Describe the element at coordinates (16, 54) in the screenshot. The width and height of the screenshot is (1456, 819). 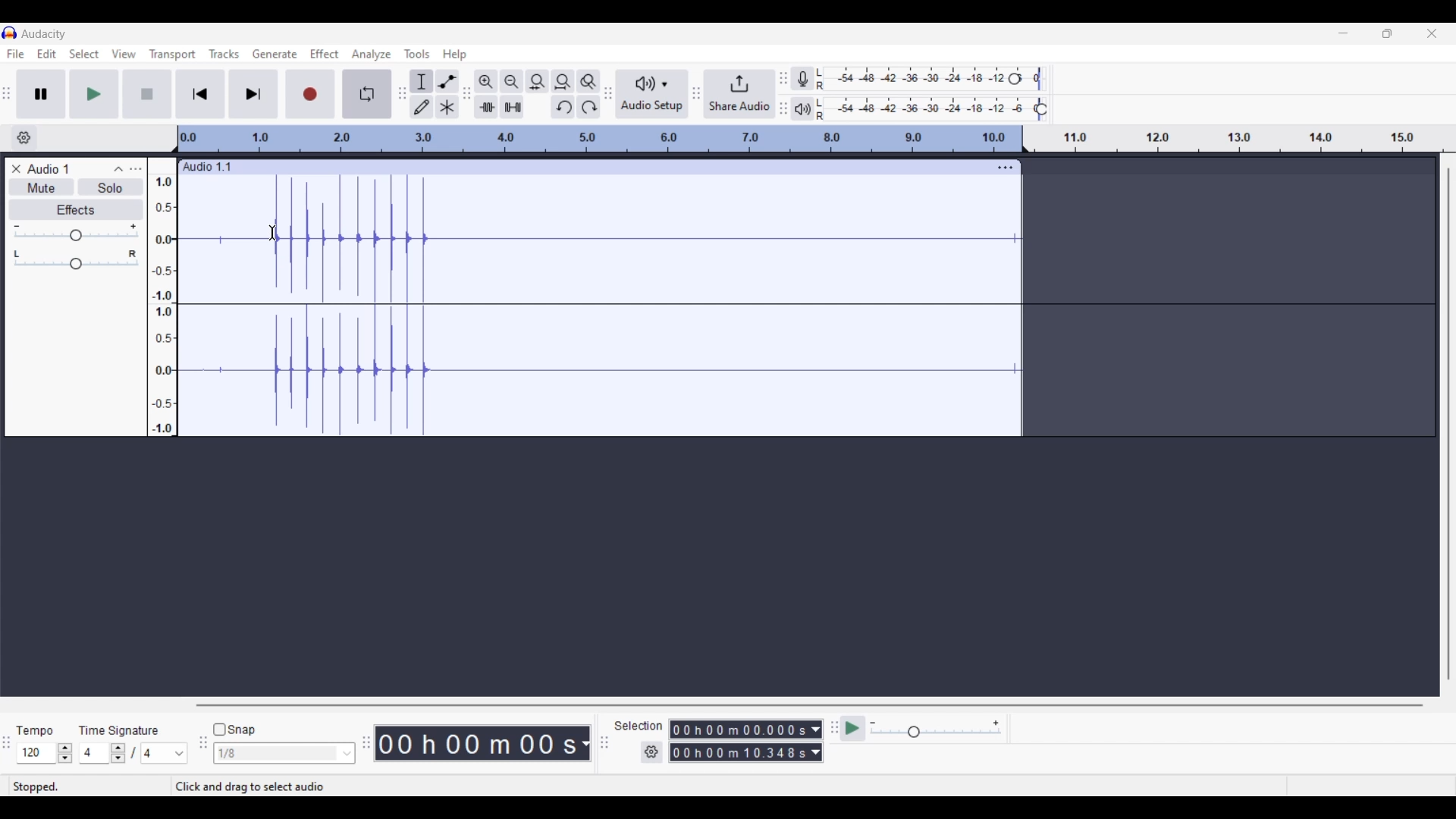
I see `File menu` at that location.